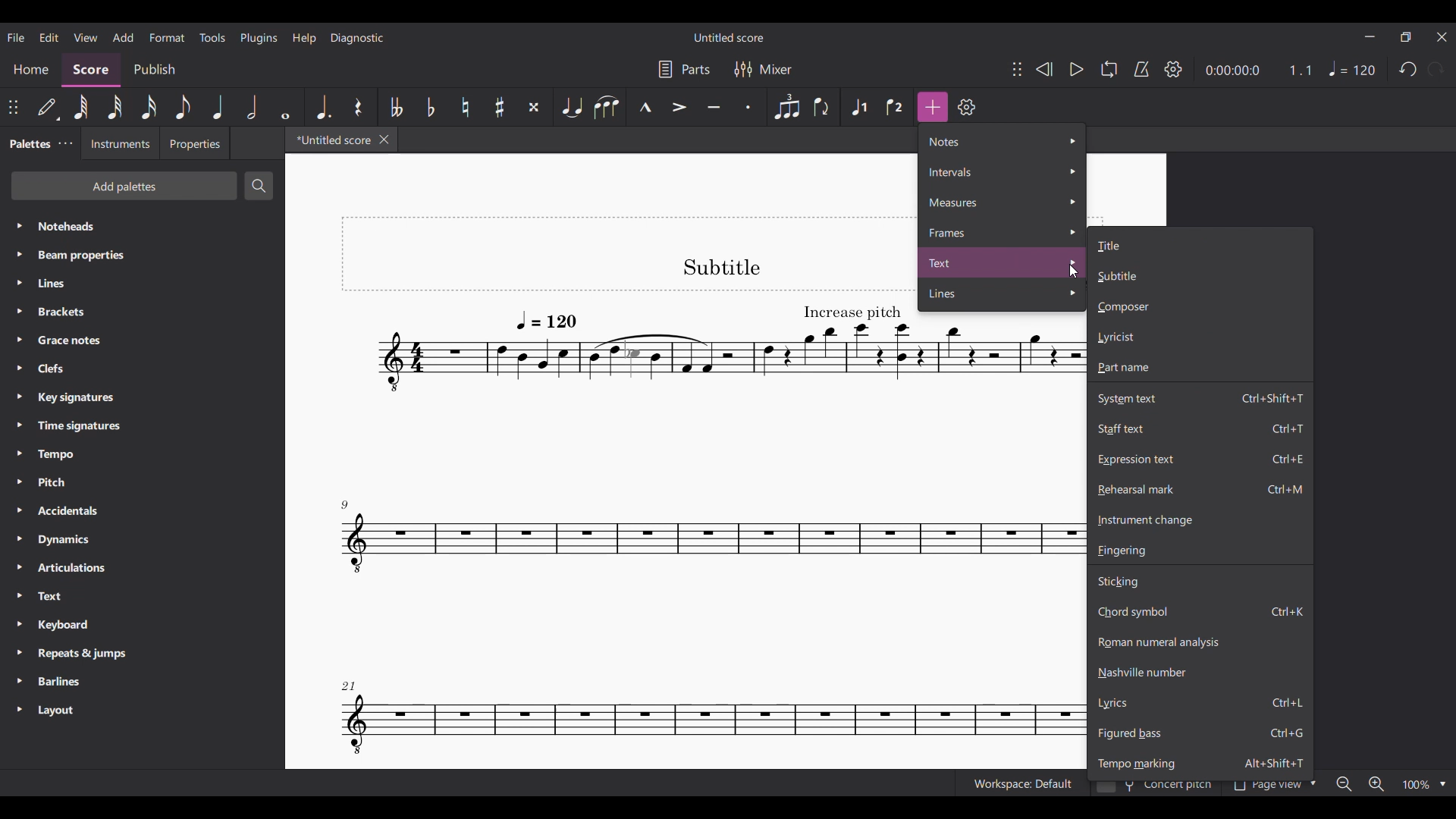  I want to click on Part name, so click(1200, 368).